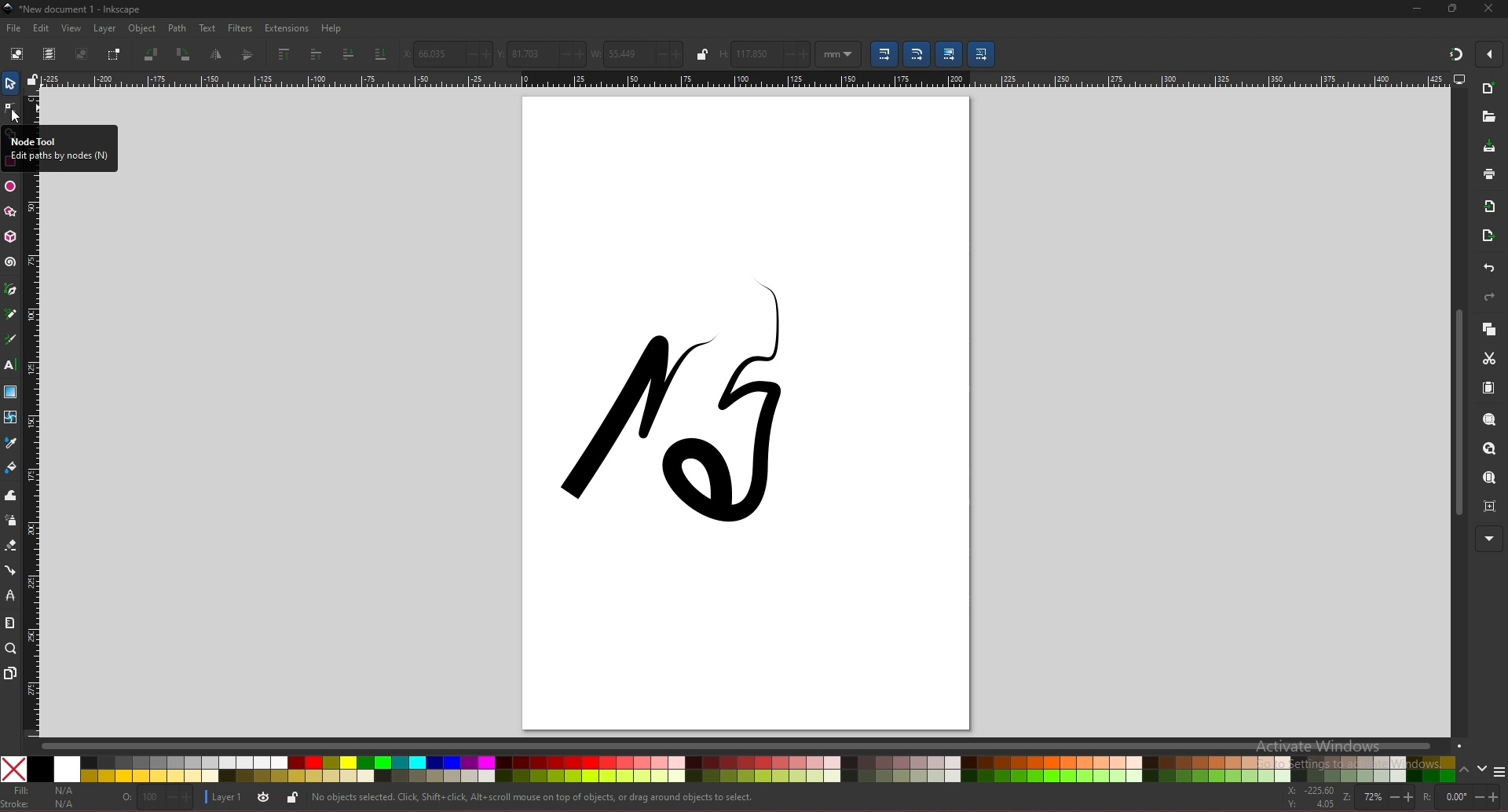 The height and width of the screenshot is (812, 1508). Describe the element at coordinates (1488, 329) in the screenshot. I see `copy` at that location.